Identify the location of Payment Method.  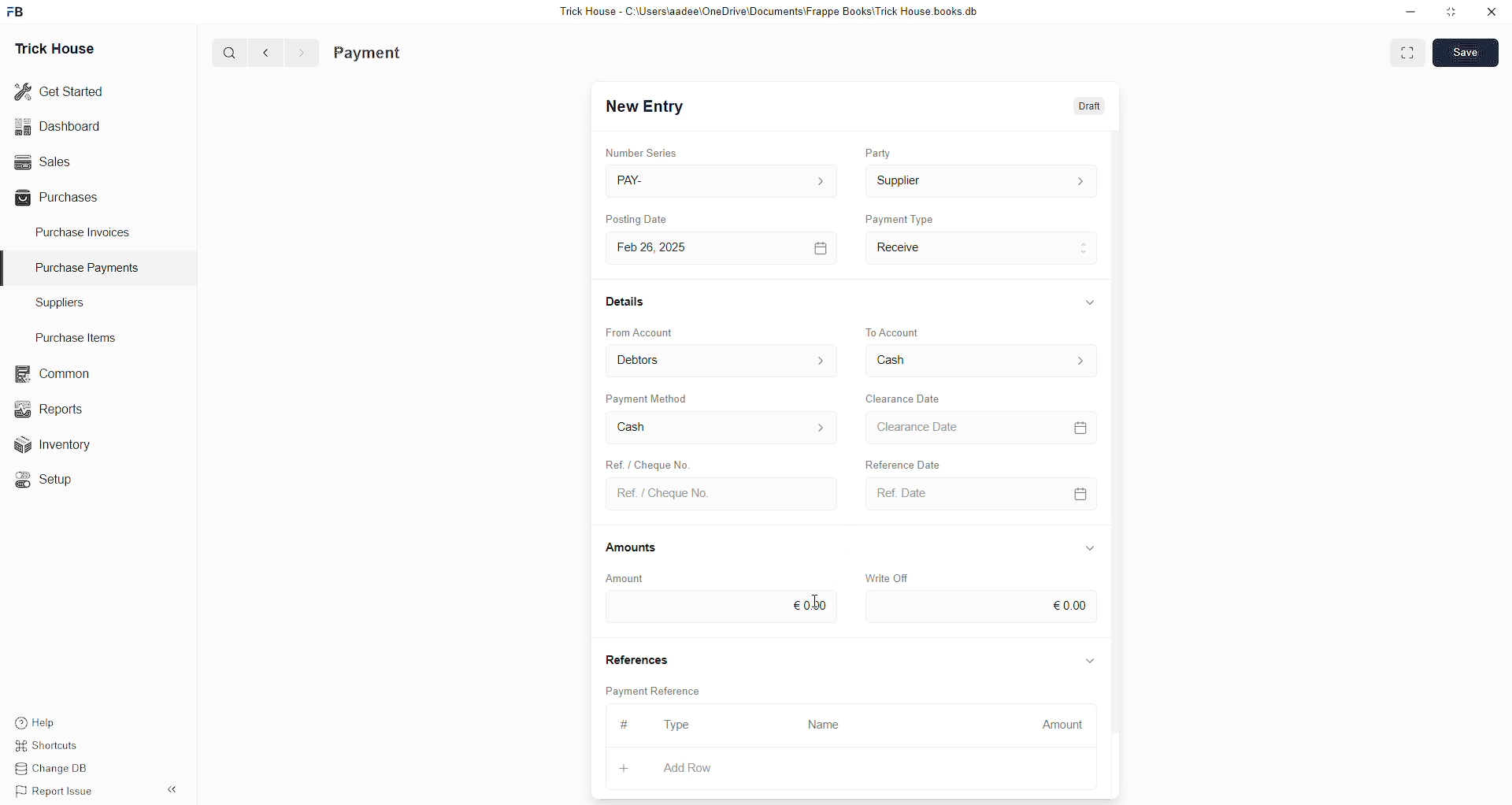
(648, 398).